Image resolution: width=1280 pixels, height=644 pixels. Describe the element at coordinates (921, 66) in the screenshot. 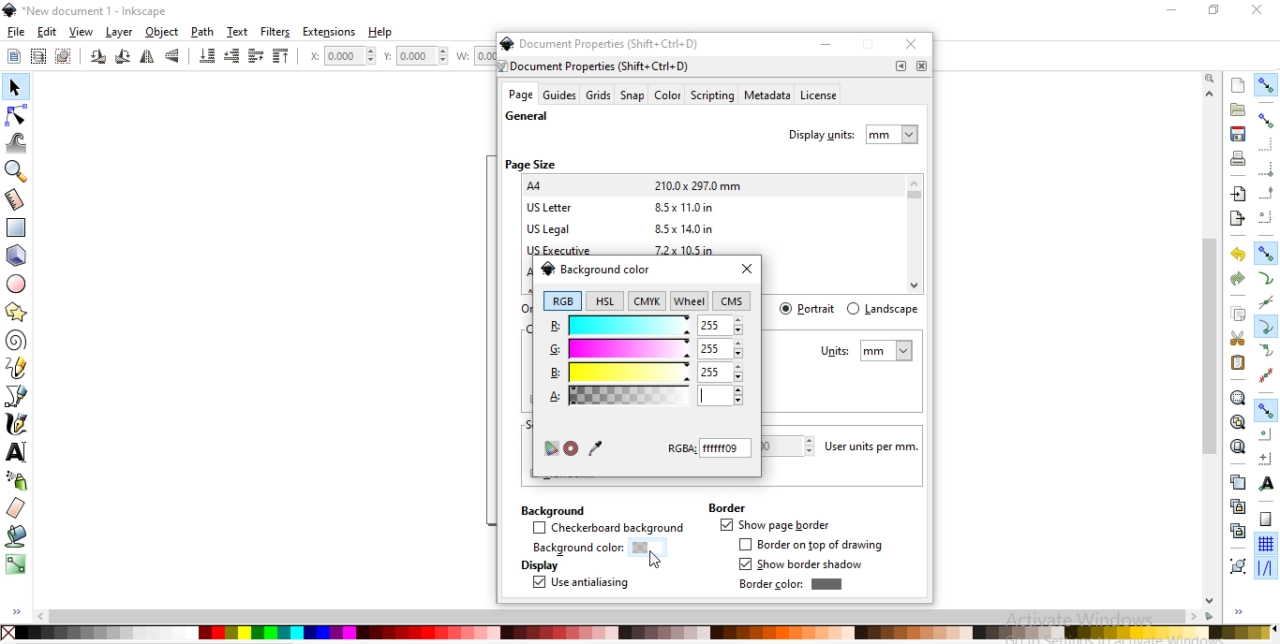

I see `close` at that location.